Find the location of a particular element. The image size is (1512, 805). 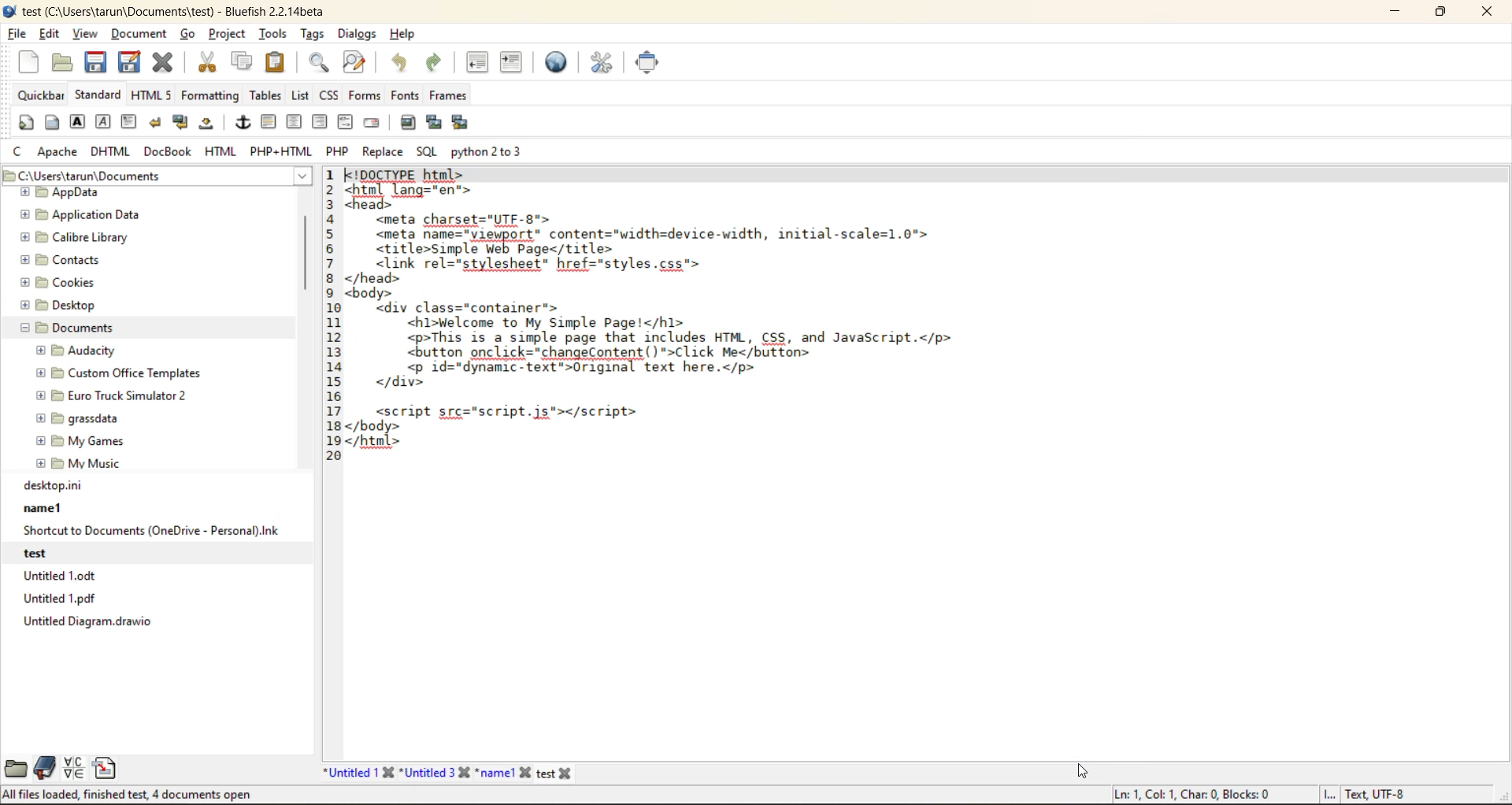

frames is located at coordinates (454, 95).